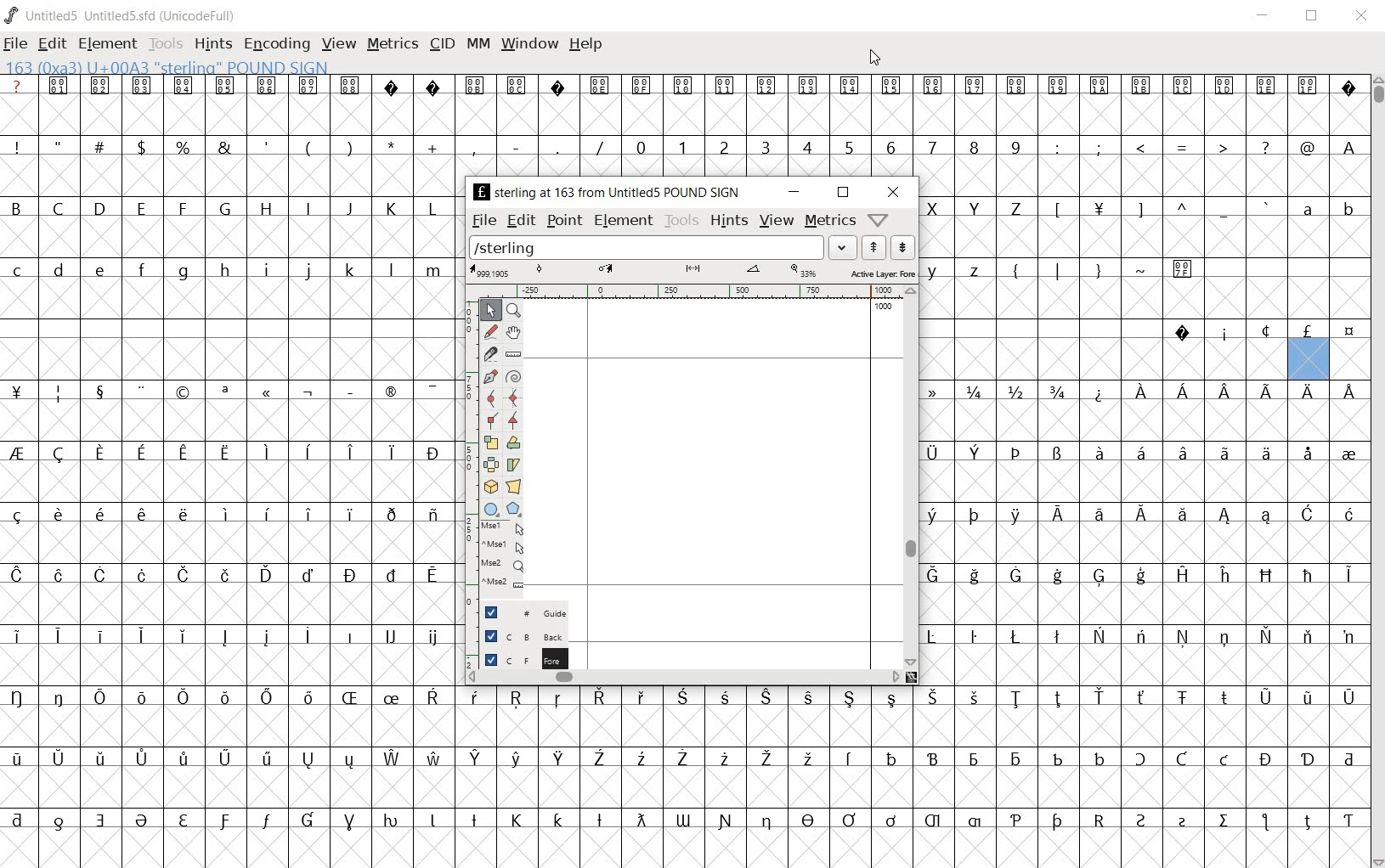 Image resolution: width=1385 pixels, height=868 pixels. What do you see at coordinates (432, 452) in the screenshot?
I see `Symbol` at bounding box center [432, 452].